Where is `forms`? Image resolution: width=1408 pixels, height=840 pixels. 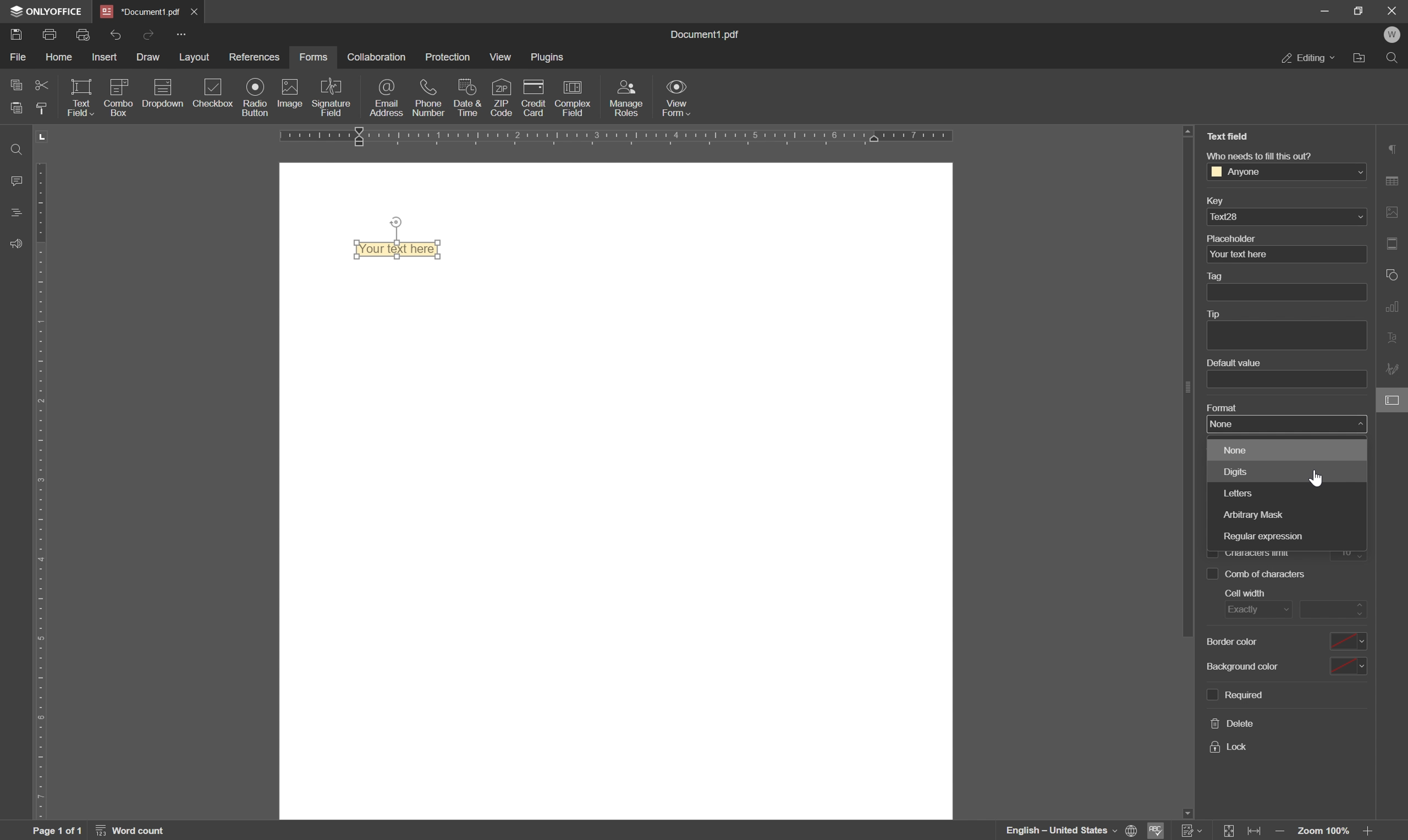 forms is located at coordinates (318, 55).